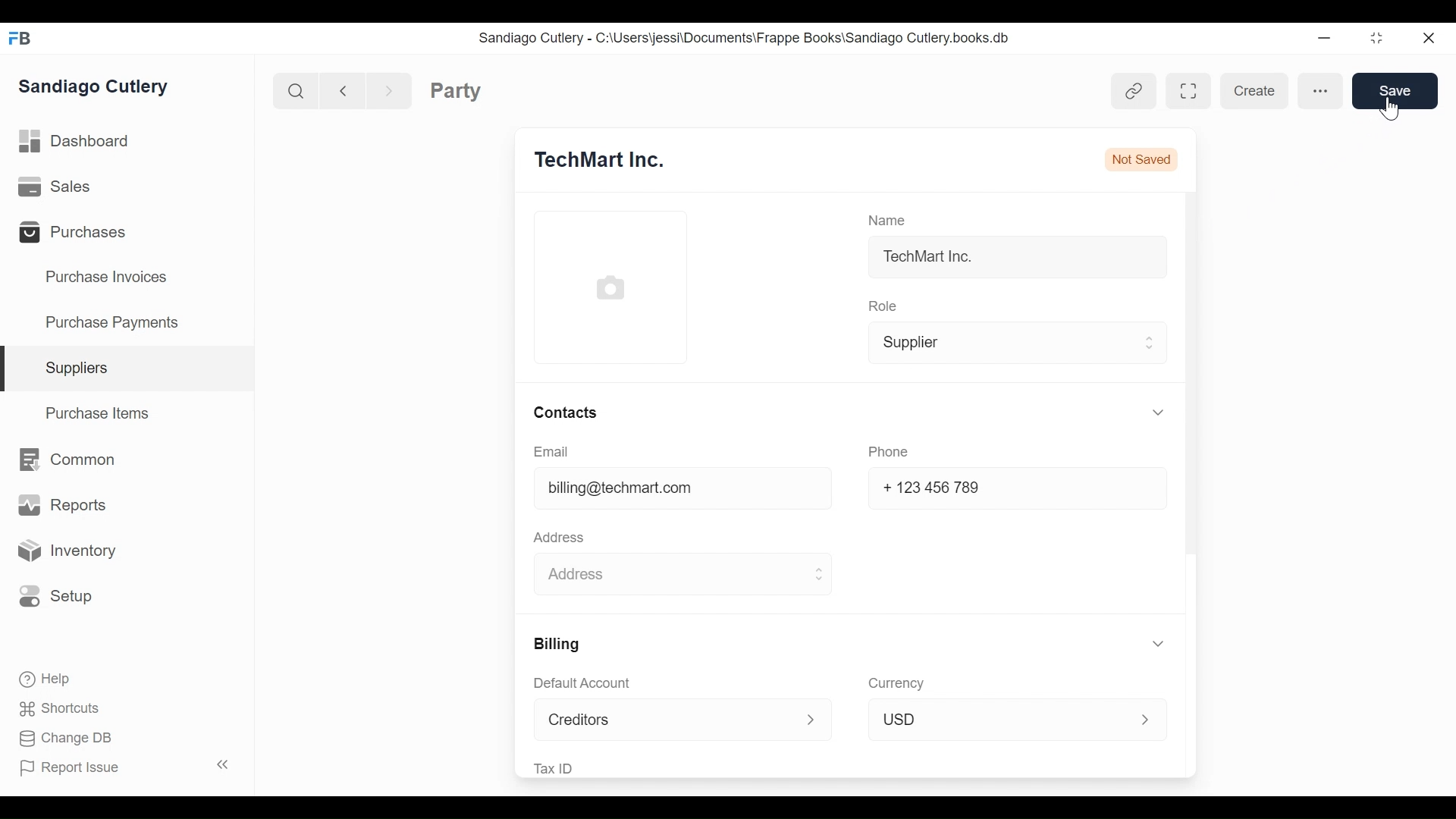 This screenshot has height=819, width=1456. Describe the element at coordinates (1147, 641) in the screenshot. I see `expand` at that location.